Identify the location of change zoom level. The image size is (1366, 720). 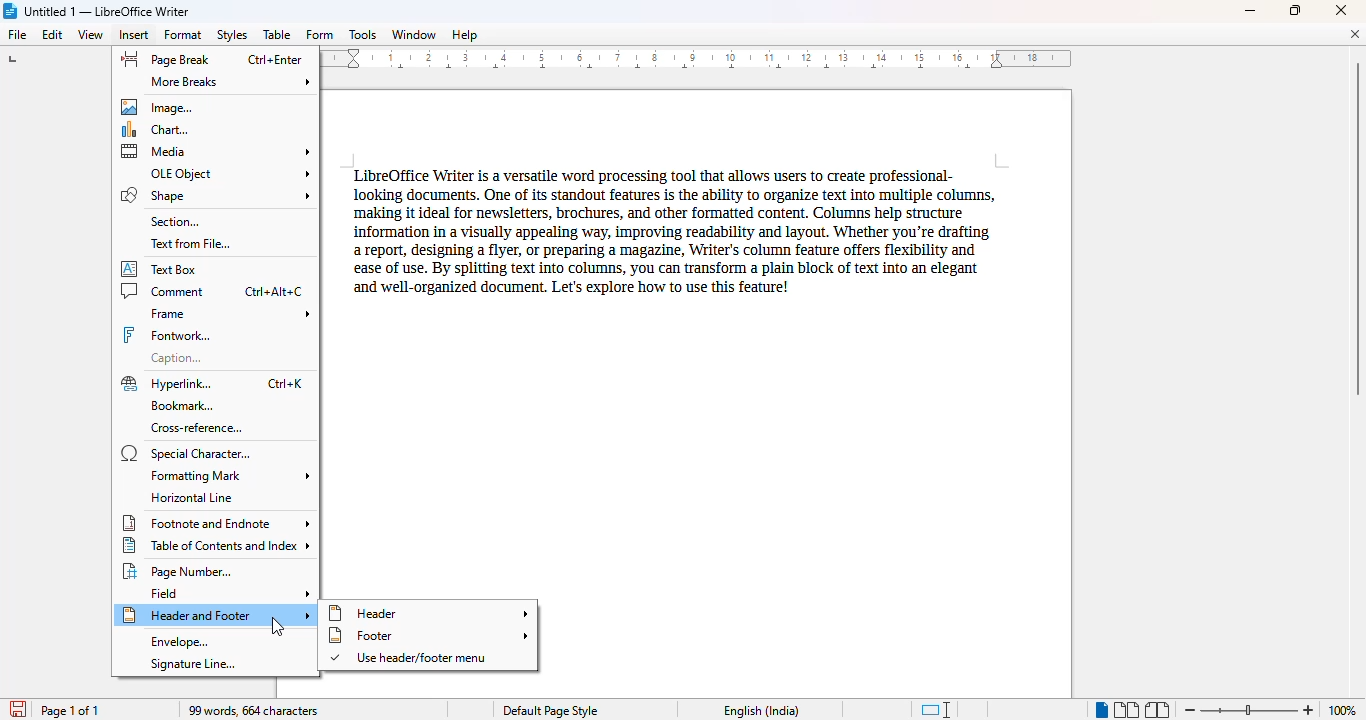
(1247, 708).